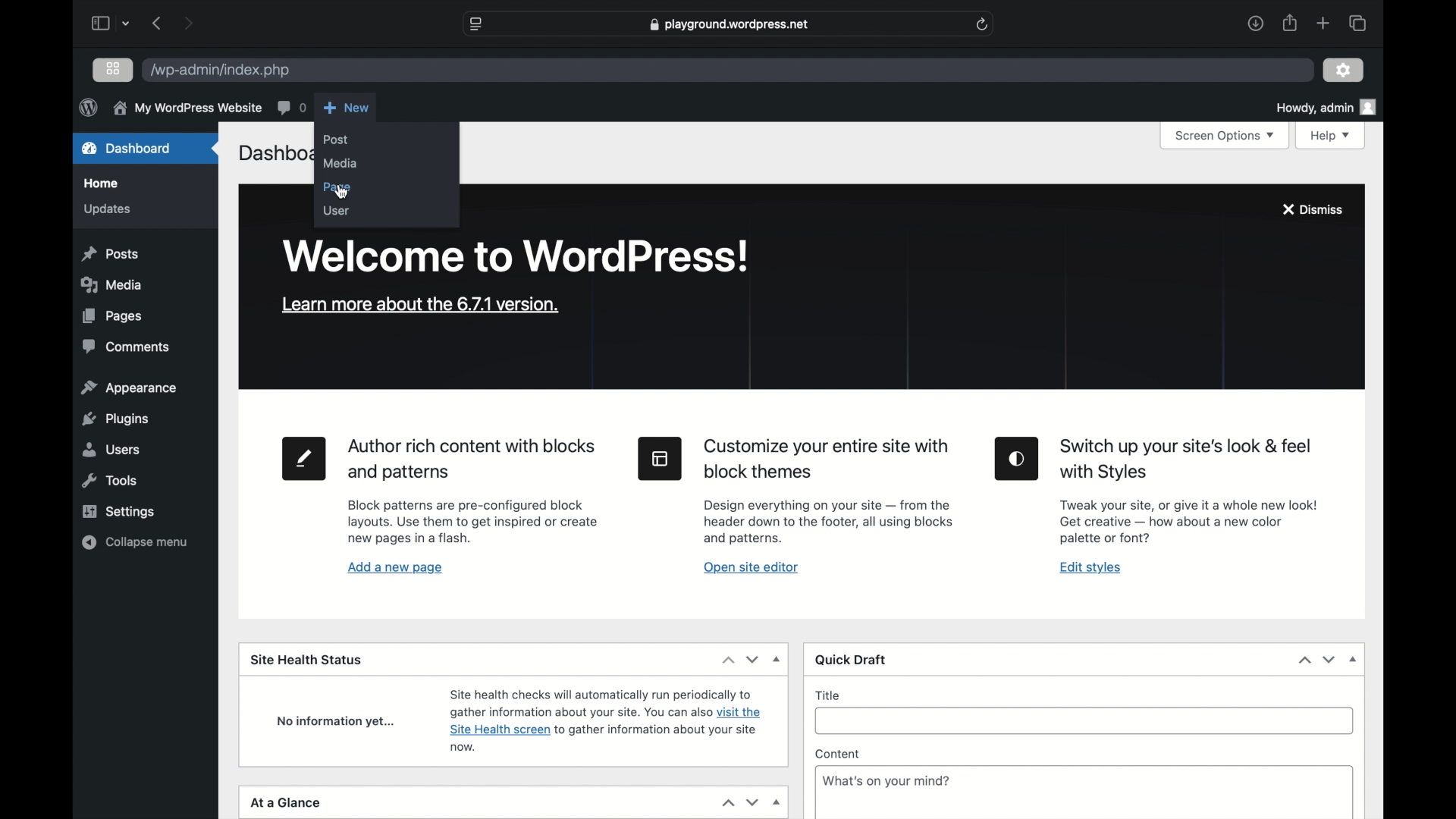  I want to click on help, so click(1332, 136).